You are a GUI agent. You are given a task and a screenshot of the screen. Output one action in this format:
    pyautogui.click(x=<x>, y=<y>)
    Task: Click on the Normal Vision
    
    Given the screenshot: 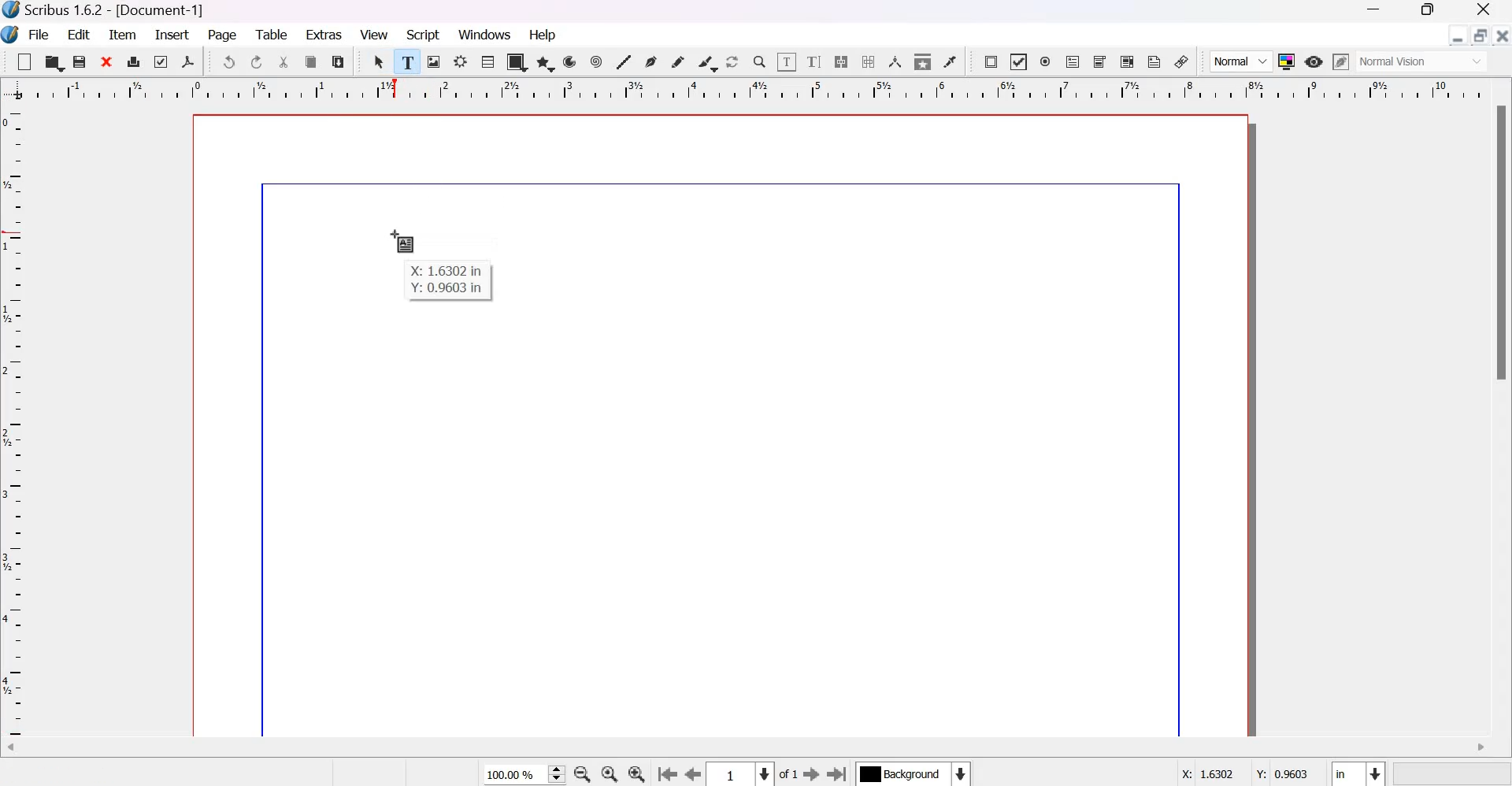 What is the action you would take?
    pyautogui.click(x=1424, y=61)
    